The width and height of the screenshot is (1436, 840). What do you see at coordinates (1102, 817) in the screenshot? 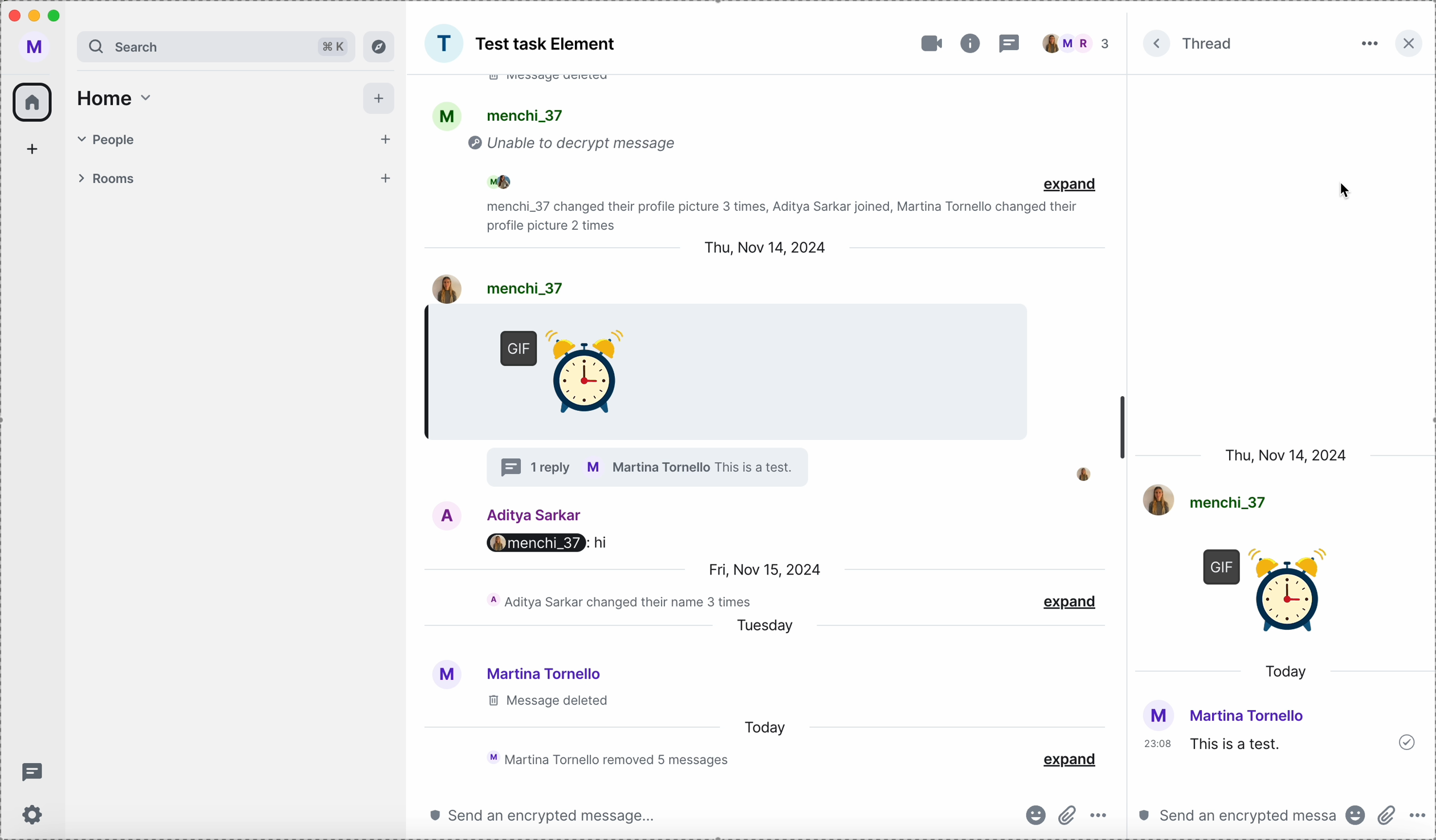
I see `more options` at bounding box center [1102, 817].